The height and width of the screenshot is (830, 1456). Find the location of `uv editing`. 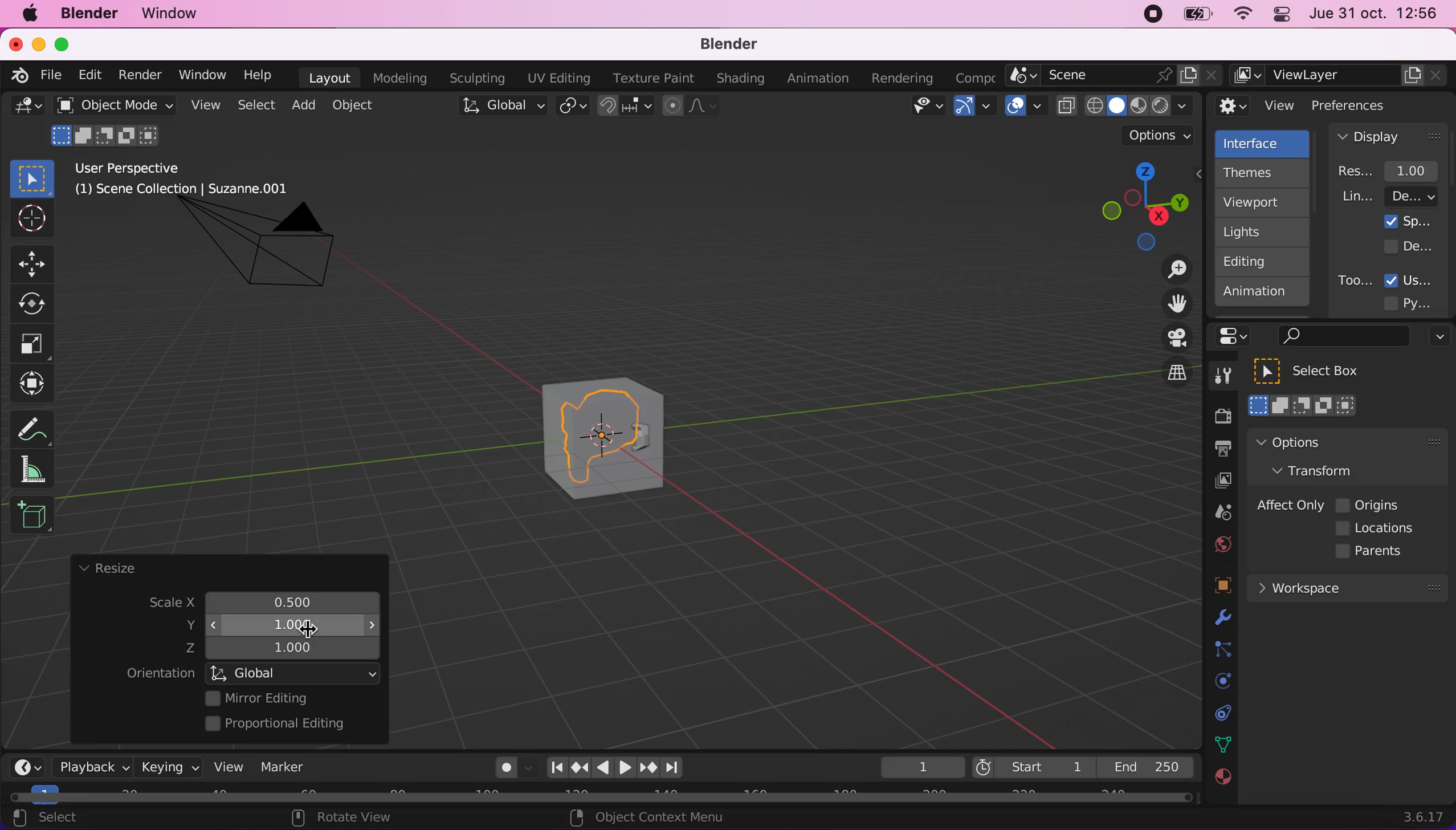

uv editing is located at coordinates (558, 78).